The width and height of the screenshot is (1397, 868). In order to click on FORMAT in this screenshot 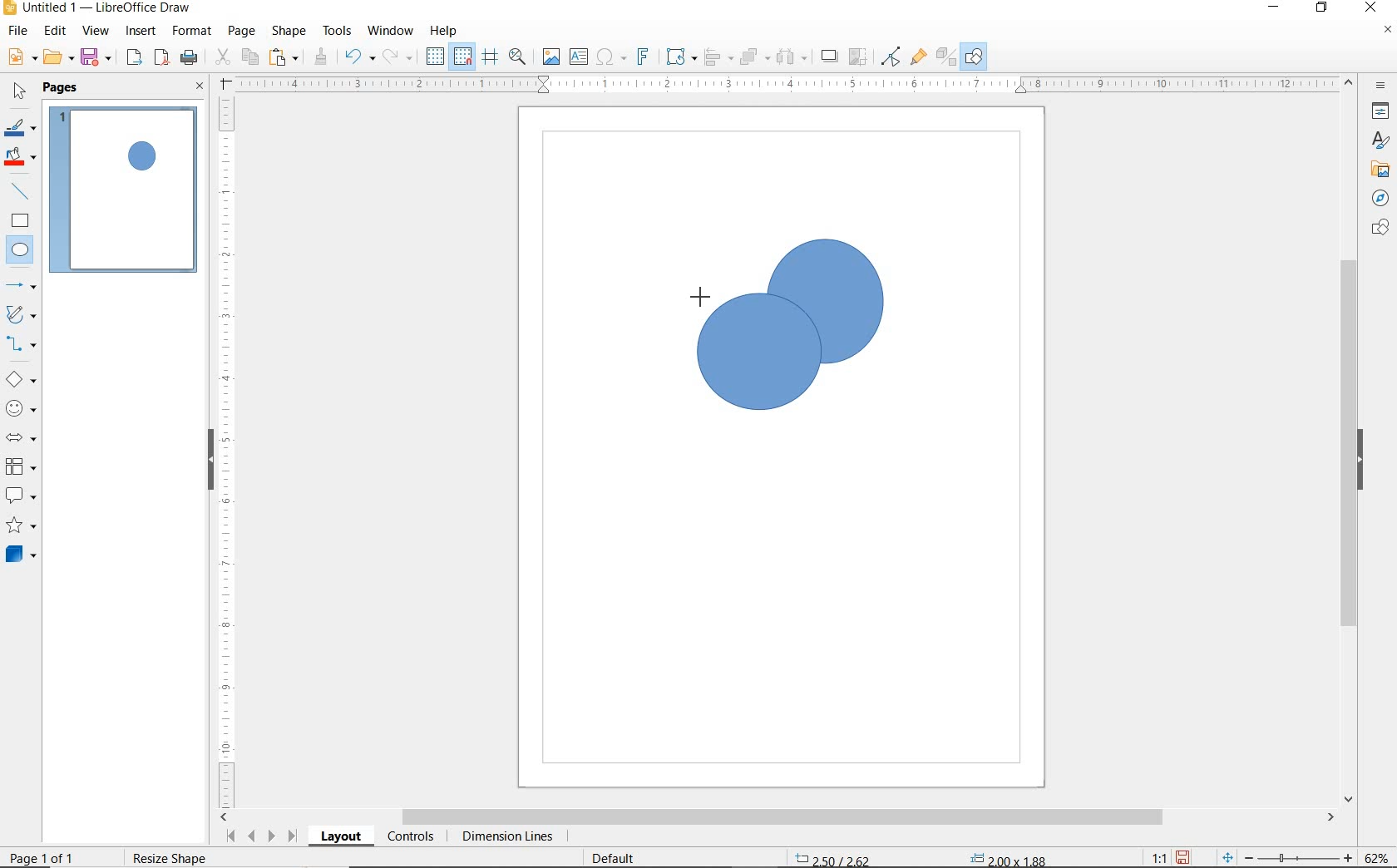, I will do `click(193, 31)`.